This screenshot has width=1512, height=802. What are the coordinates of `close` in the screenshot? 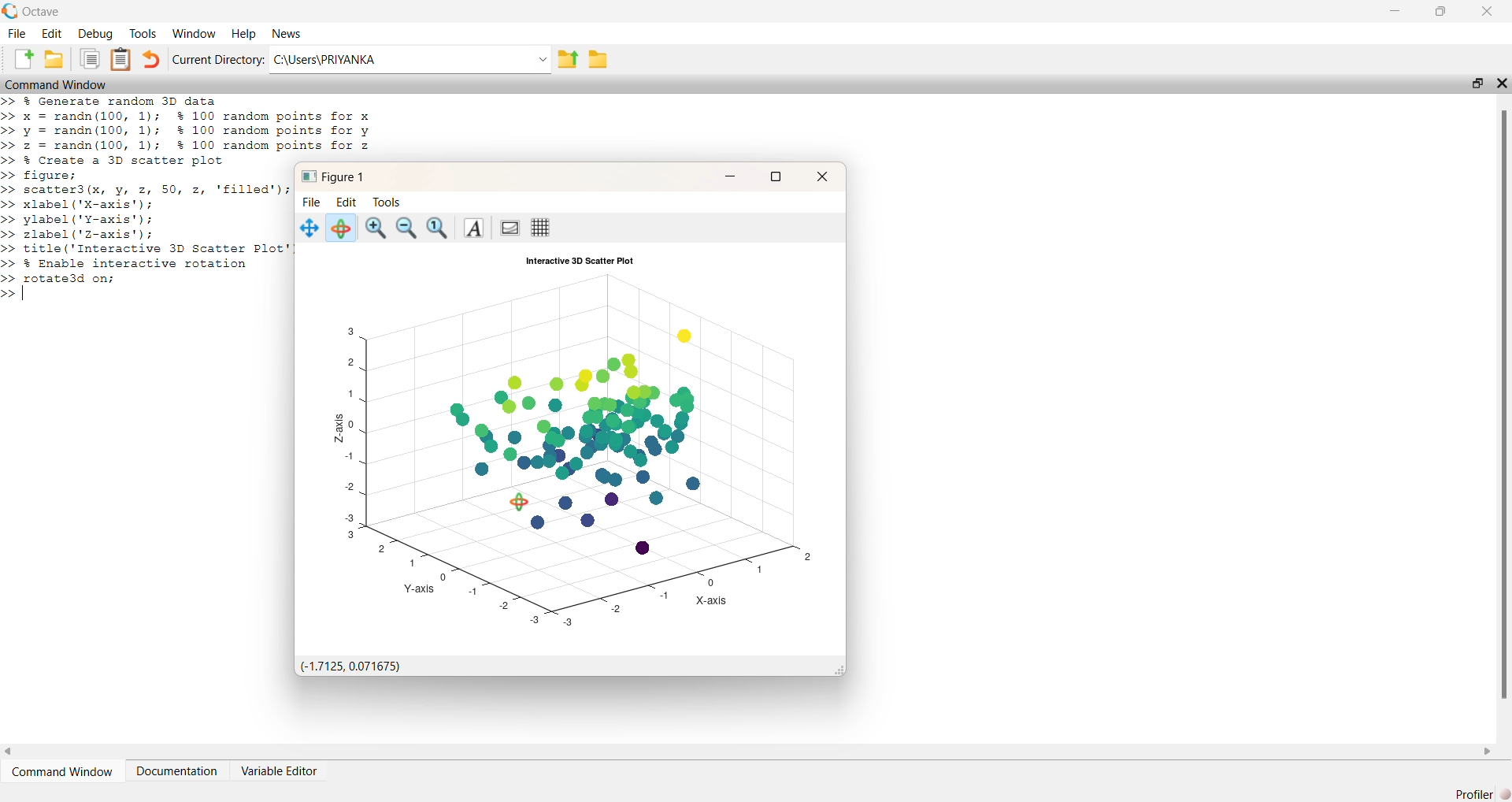 It's located at (1488, 11).